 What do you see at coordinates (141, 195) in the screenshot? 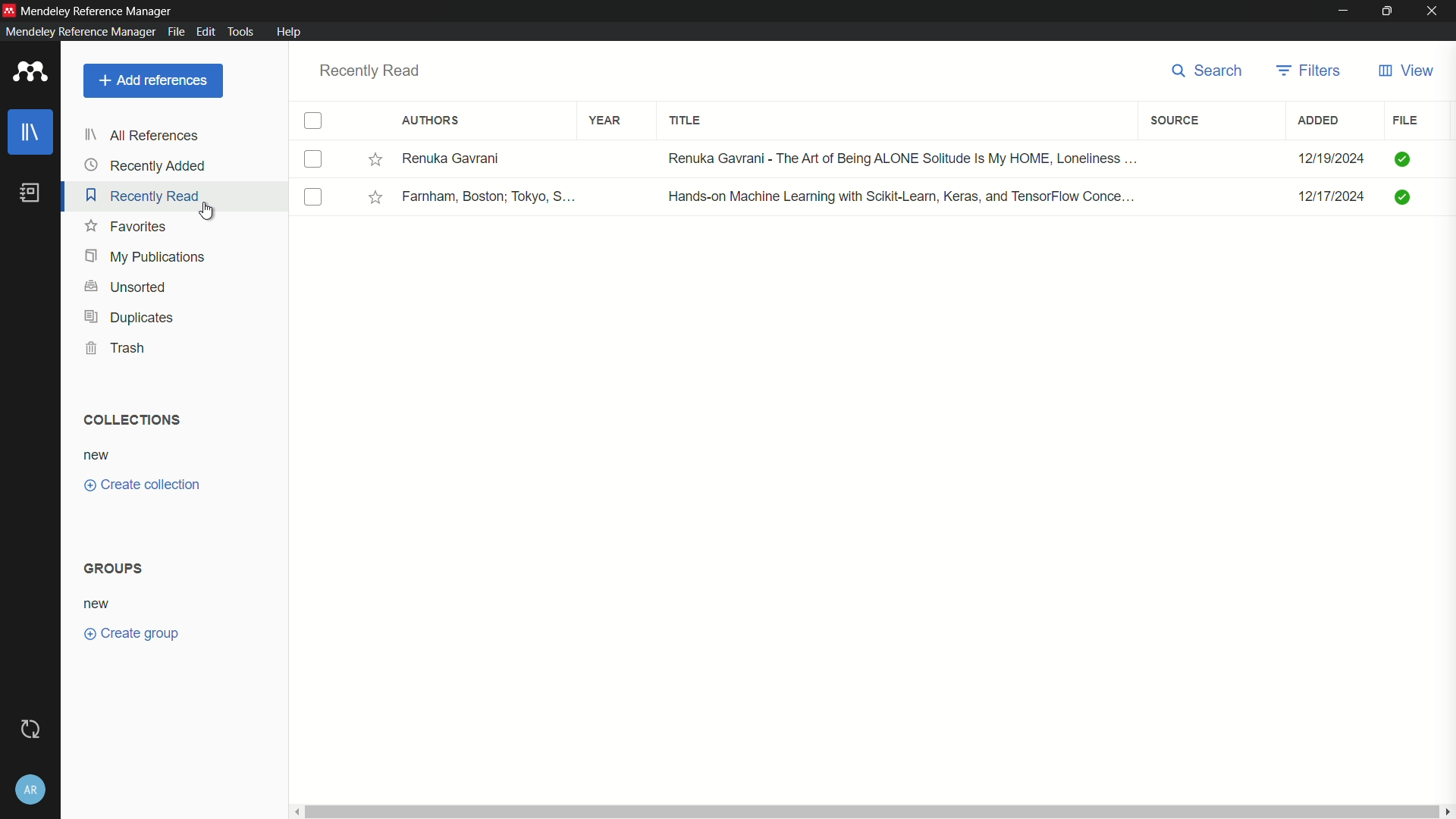
I see `recently read` at bounding box center [141, 195].